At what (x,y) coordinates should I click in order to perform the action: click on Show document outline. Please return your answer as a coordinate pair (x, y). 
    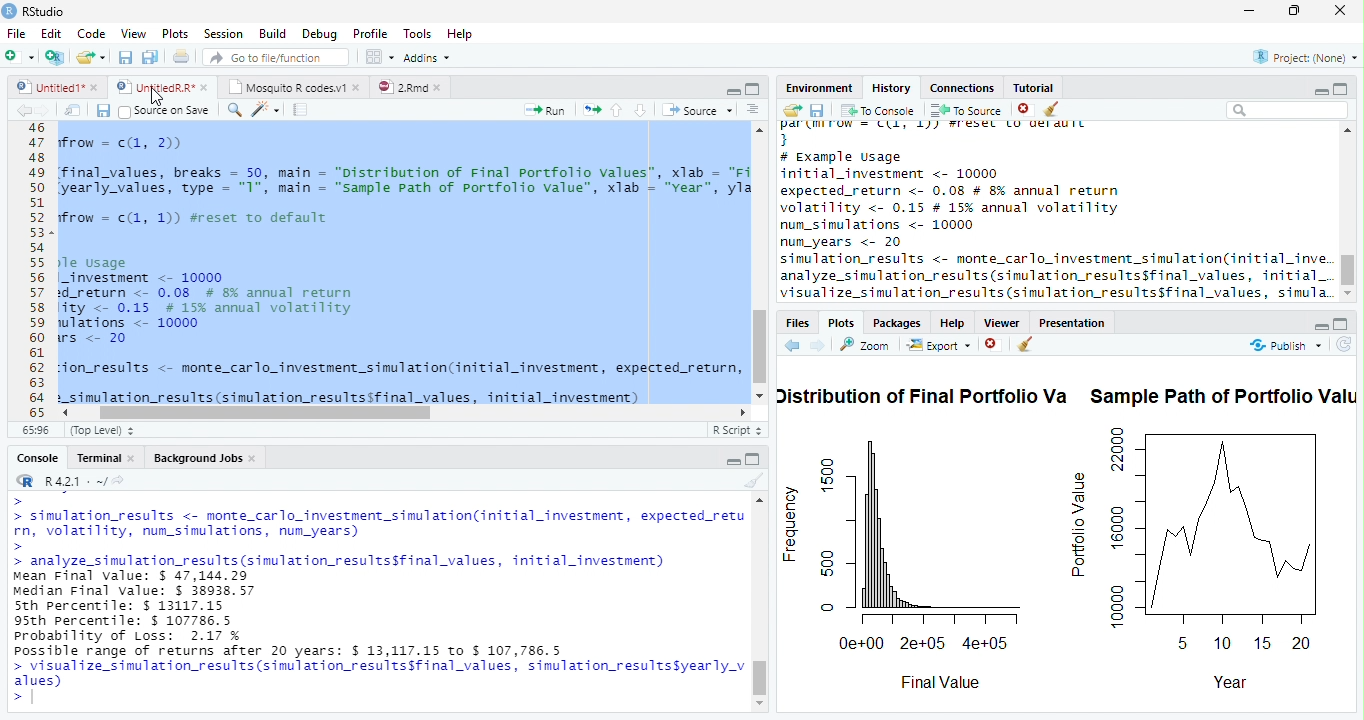
    Looking at the image, I should click on (753, 111).